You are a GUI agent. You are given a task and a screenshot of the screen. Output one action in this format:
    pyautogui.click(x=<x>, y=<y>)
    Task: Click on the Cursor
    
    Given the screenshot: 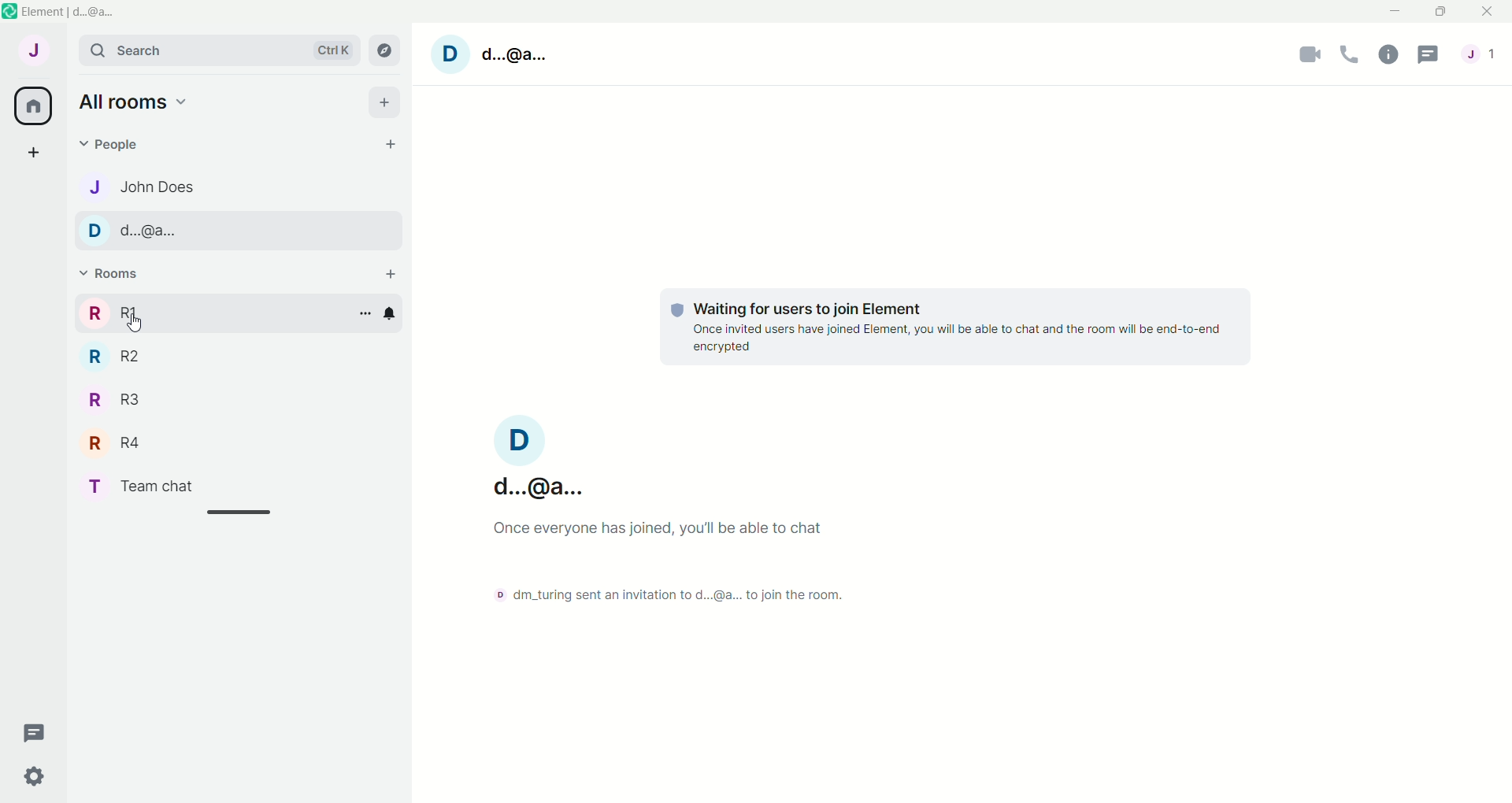 What is the action you would take?
    pyautogui.click(x=137, y=327)
    